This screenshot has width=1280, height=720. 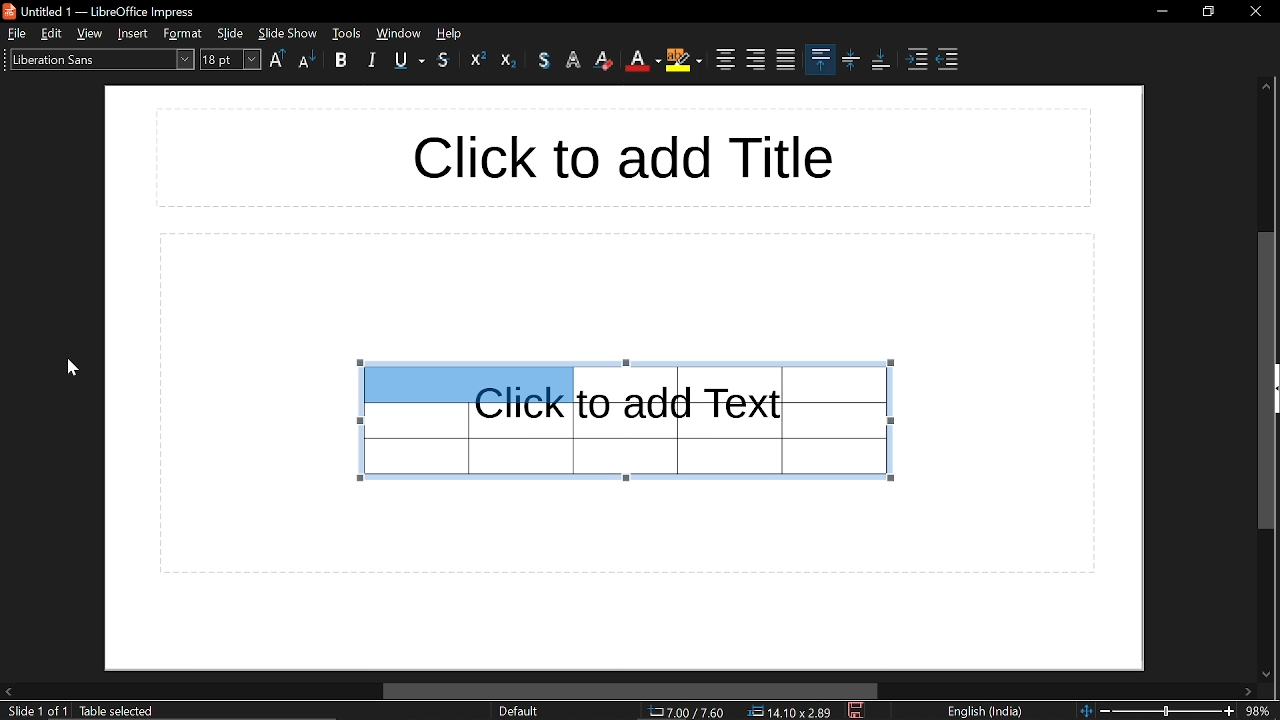 I want to click on minimize, so click(x=1162, y=11).